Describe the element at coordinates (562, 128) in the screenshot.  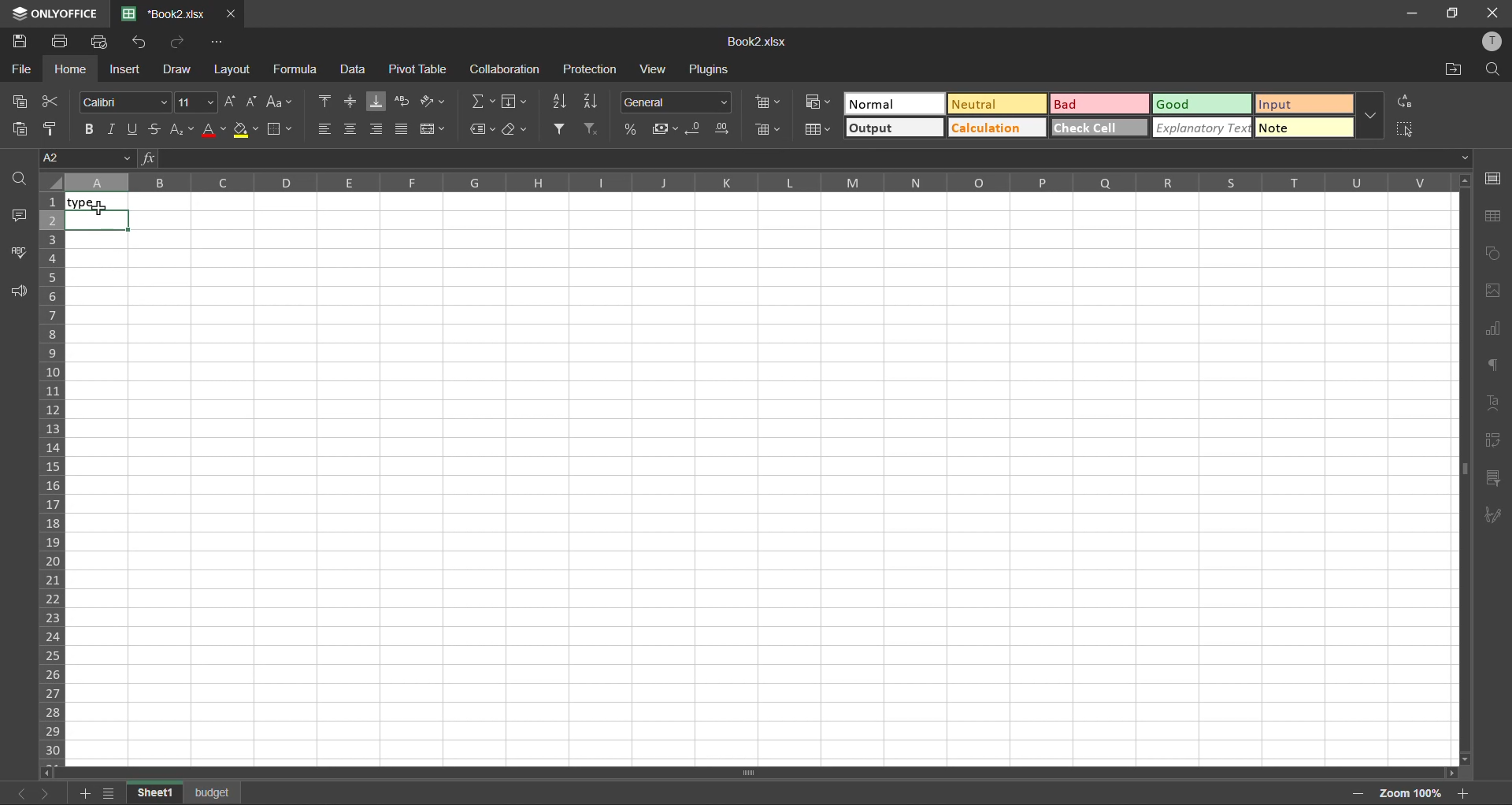
I see `filter` at that location.